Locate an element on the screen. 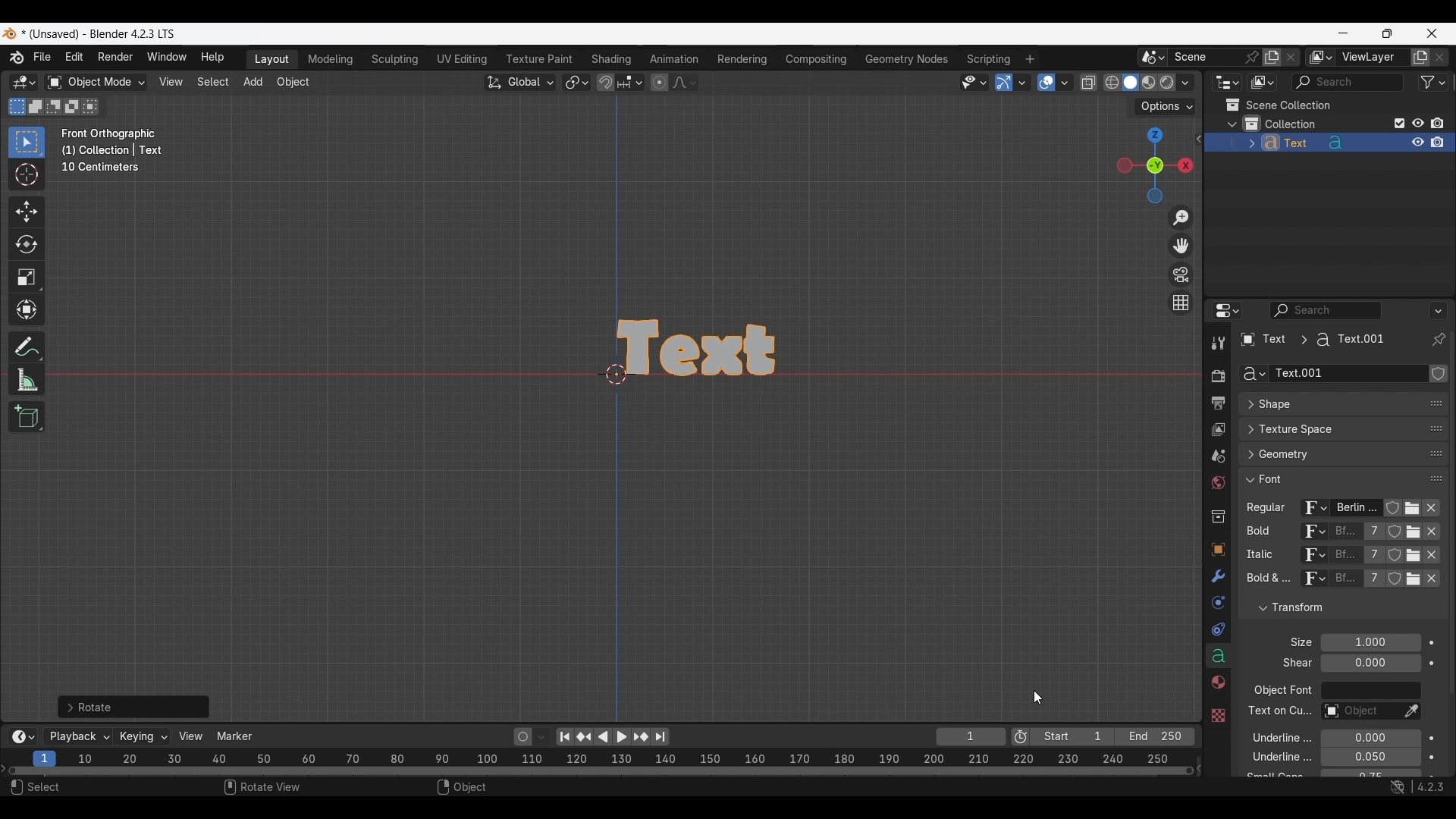 The height and width of the screenshot is (819, 1456). Viewport shading, solid is located at coordinates (1130, 83).